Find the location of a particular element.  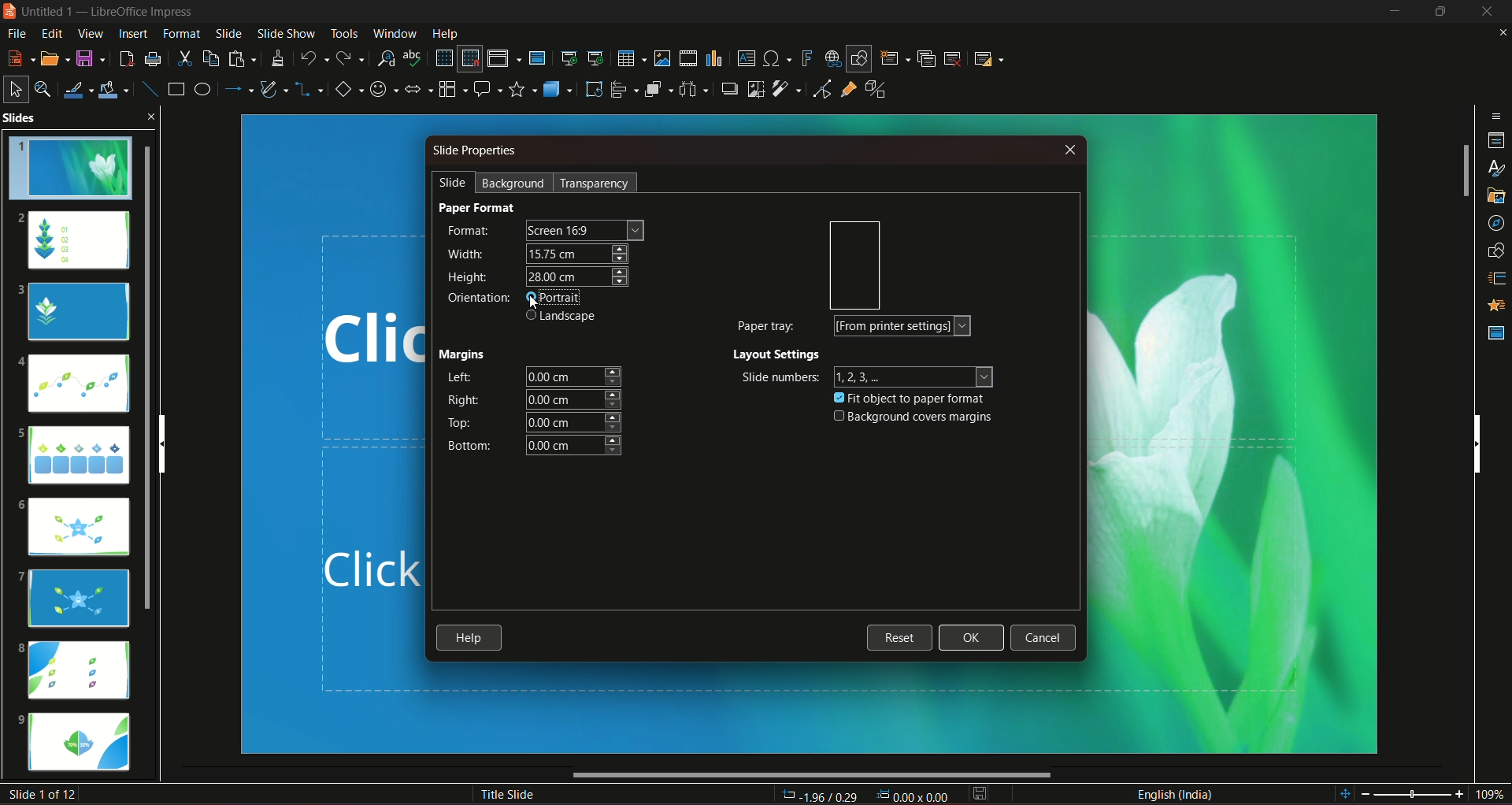

margins is located at coordinates (466, 351).